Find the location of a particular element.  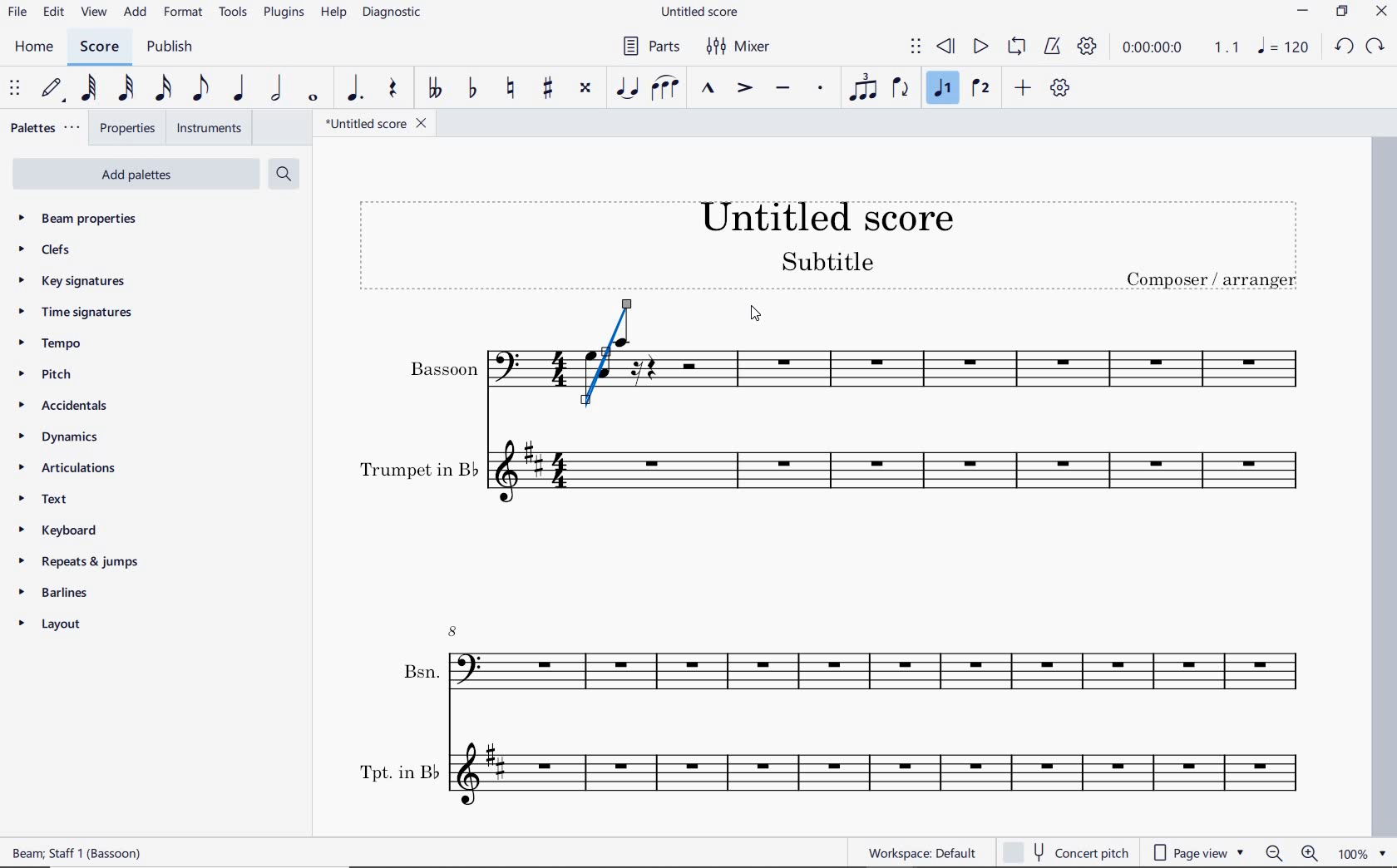

accent is located at coordinates (744, 88).